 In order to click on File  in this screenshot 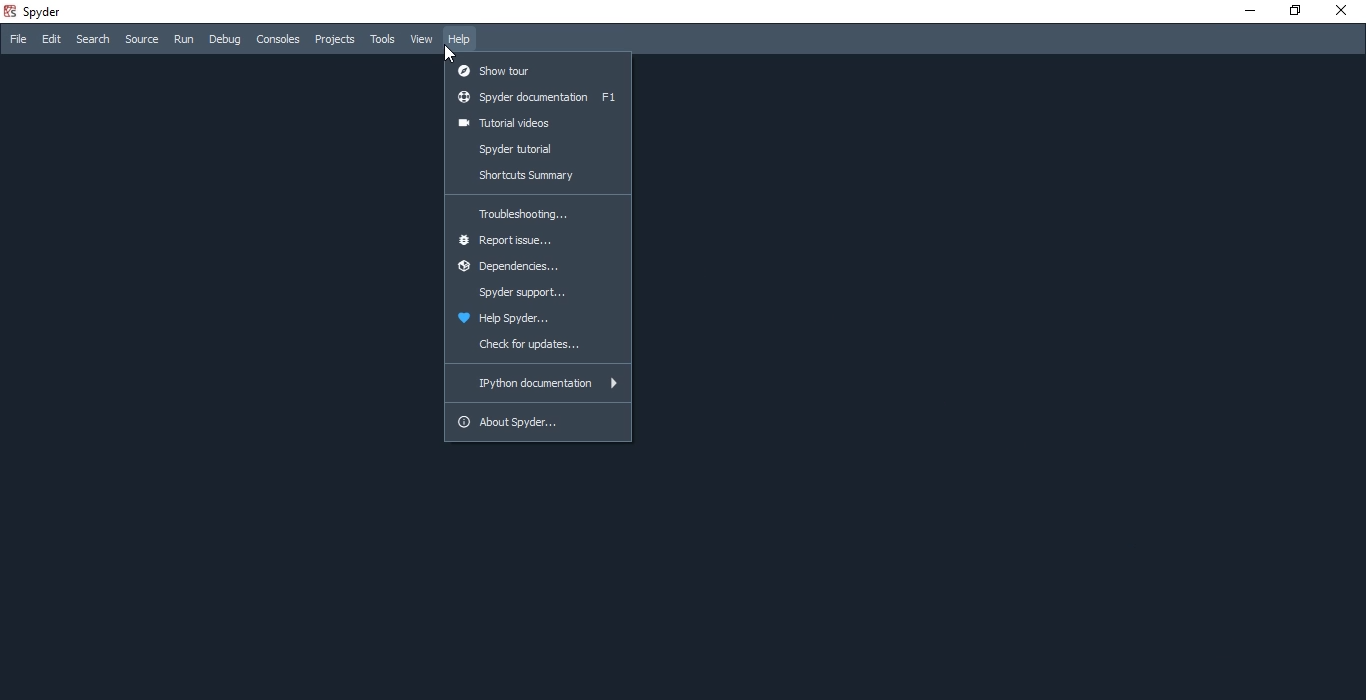, I will do `click(16, 39)`.